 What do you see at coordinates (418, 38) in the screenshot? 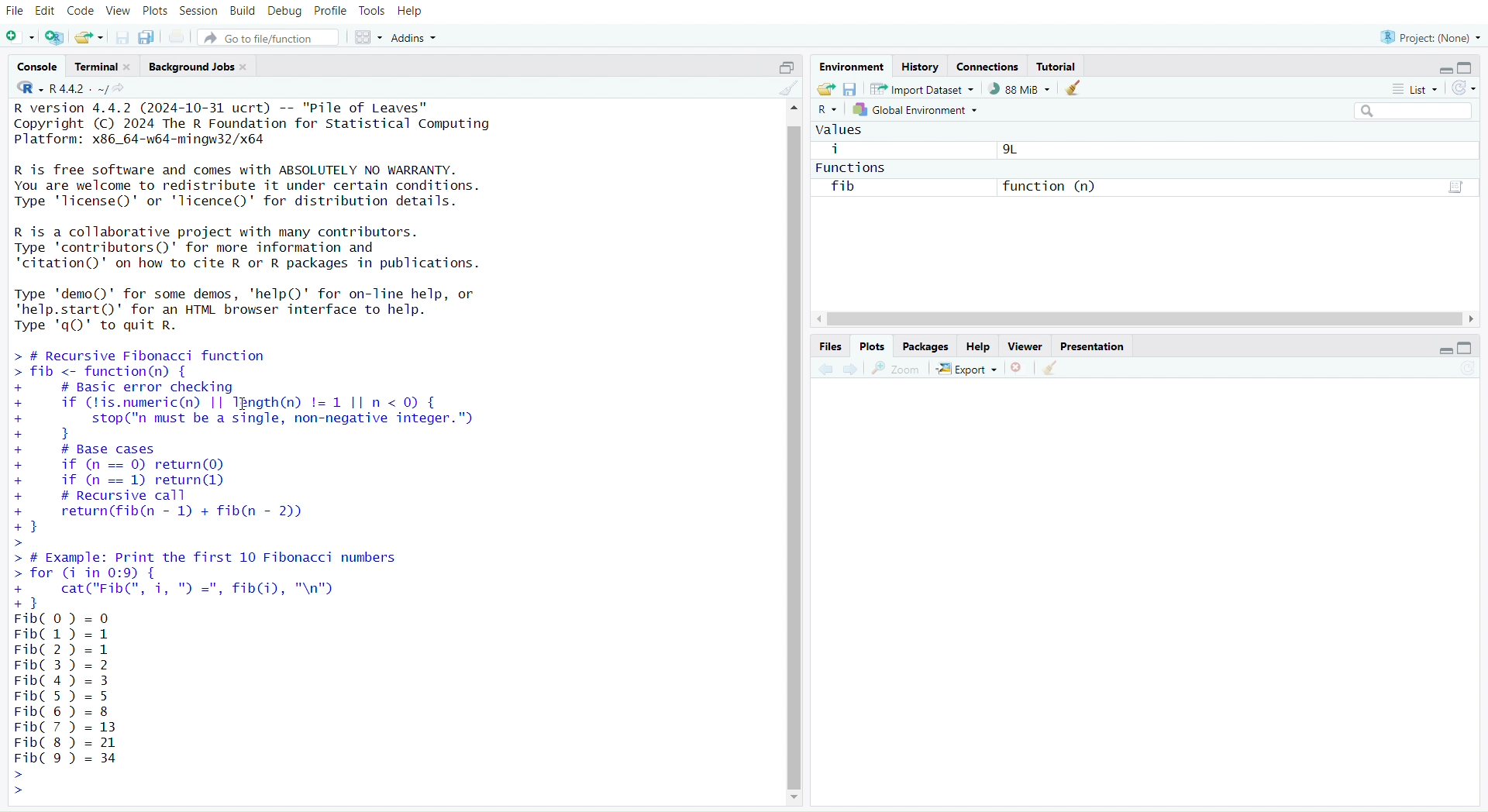
I see `addins` at bounding box center [418, 38].